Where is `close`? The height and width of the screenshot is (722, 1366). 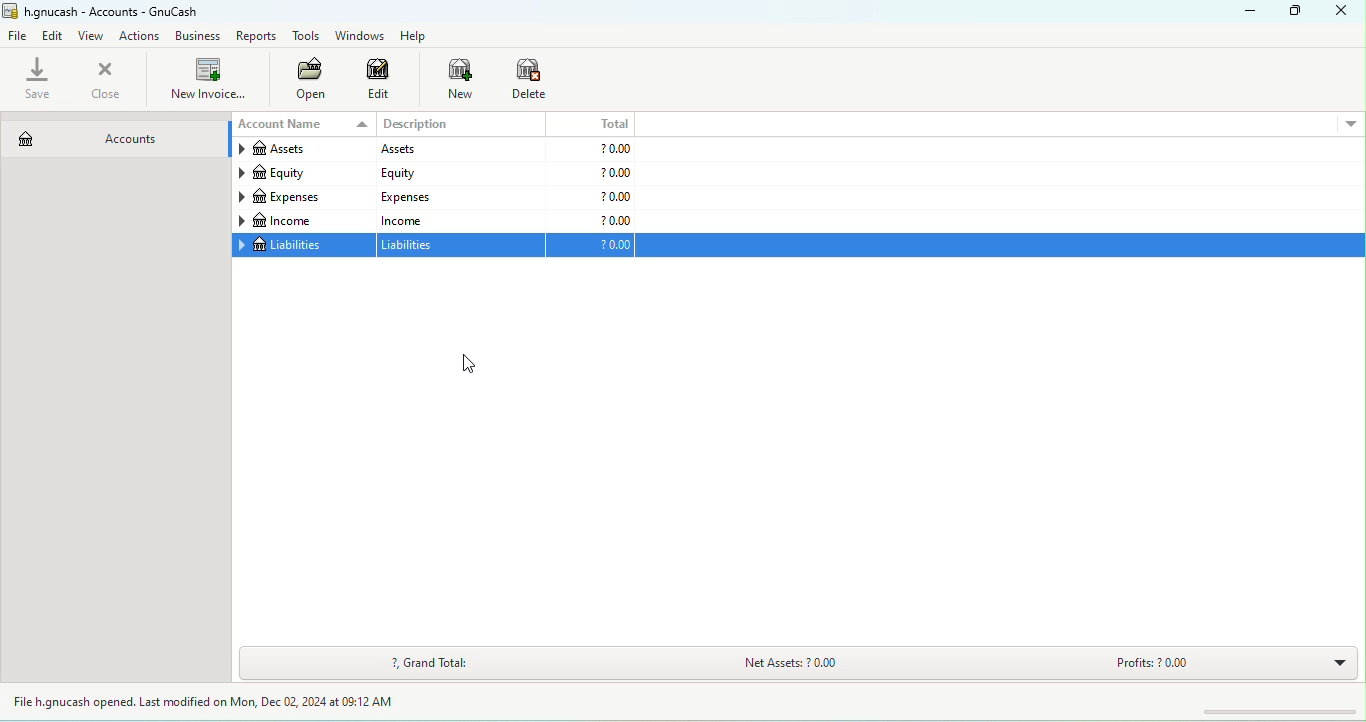 close is located at coordinates (1345, 12).